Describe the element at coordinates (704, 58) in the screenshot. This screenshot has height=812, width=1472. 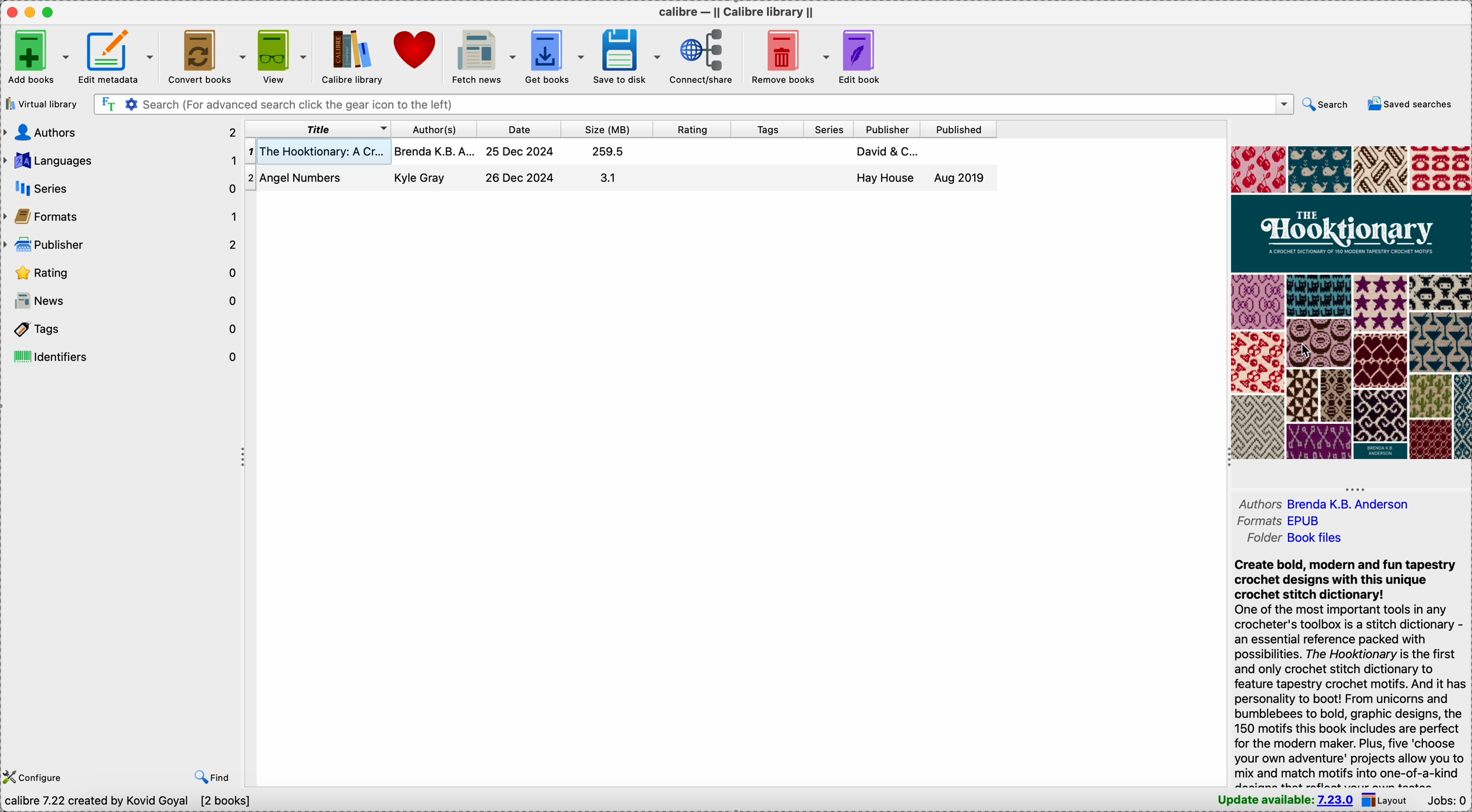
I see `connect/share` at that location.